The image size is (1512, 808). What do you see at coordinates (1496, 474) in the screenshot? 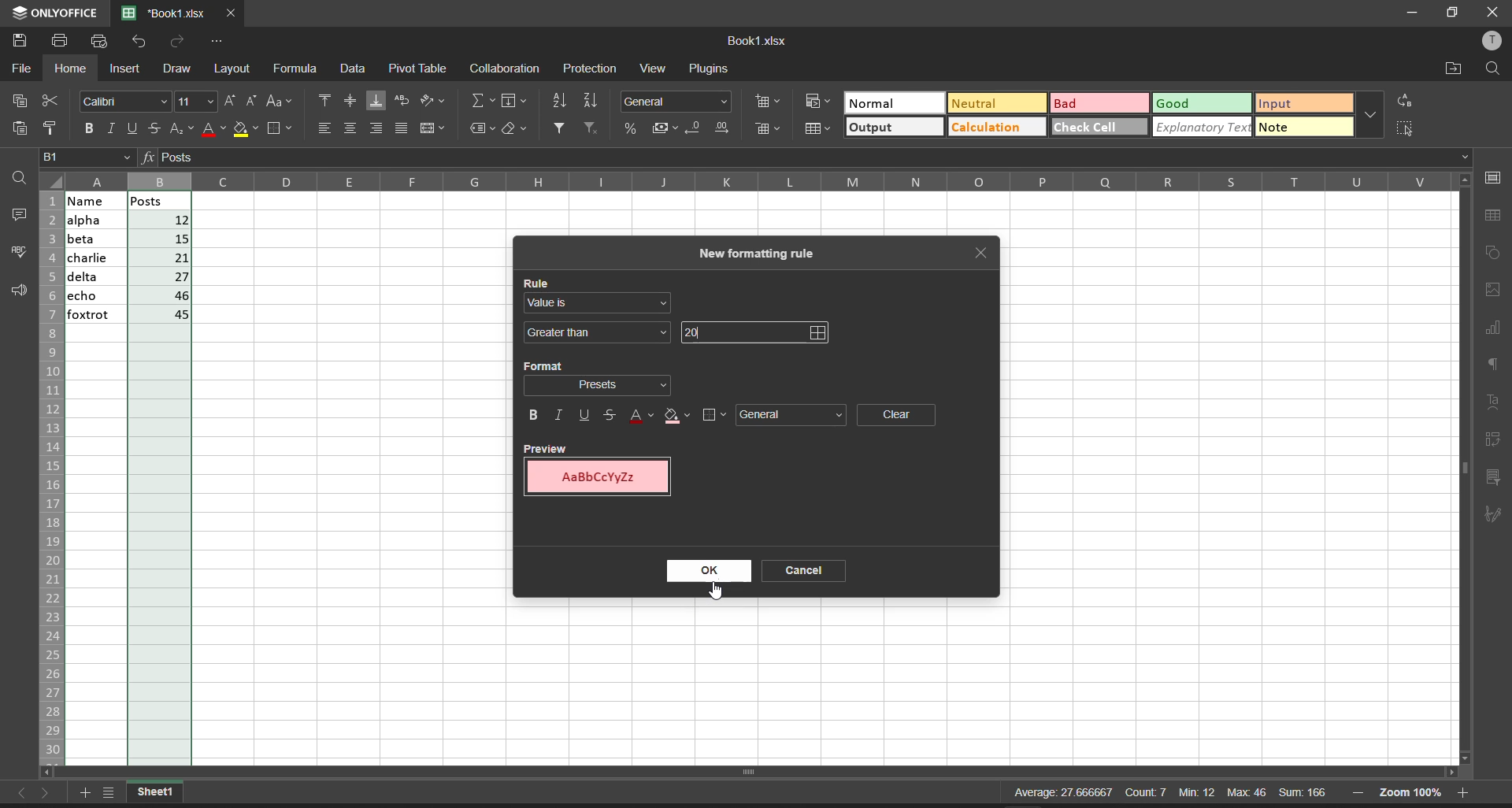
I see `slicer settings` at bounding box center [1496, 474].